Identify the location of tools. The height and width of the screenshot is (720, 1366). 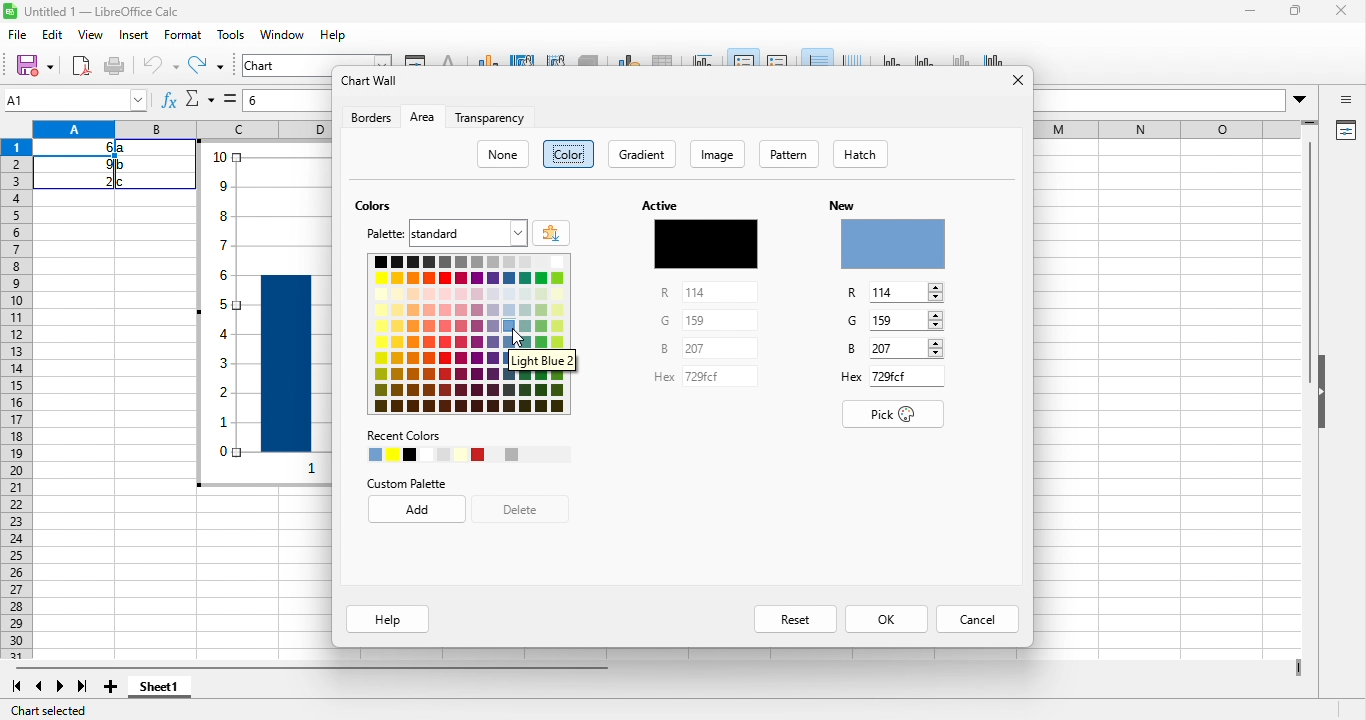
(231, 36).